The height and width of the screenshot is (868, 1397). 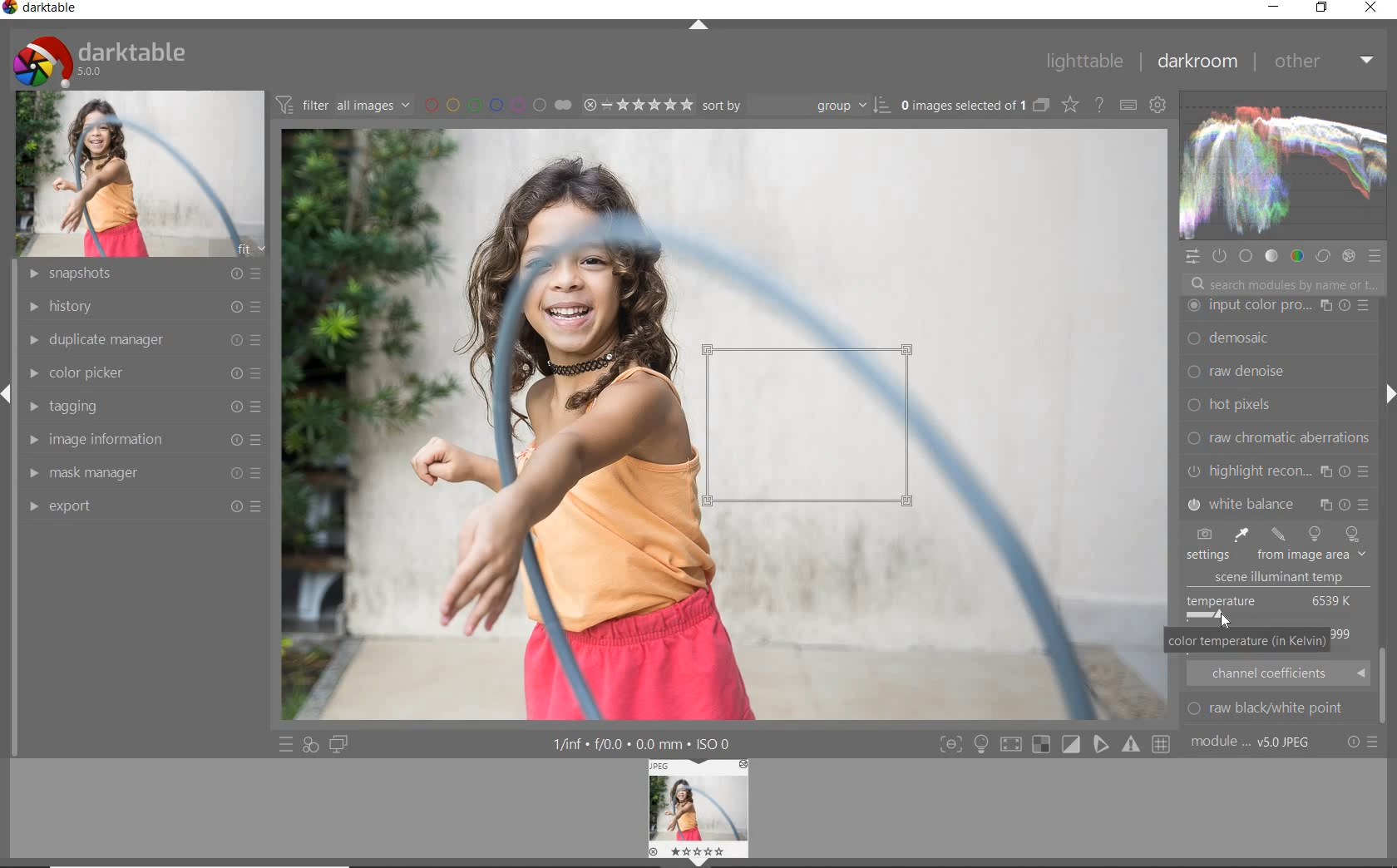 What do you see at coordinates (1279, 502) in the screenshot?
I see `split toning` at bounding box center [1279, 502].